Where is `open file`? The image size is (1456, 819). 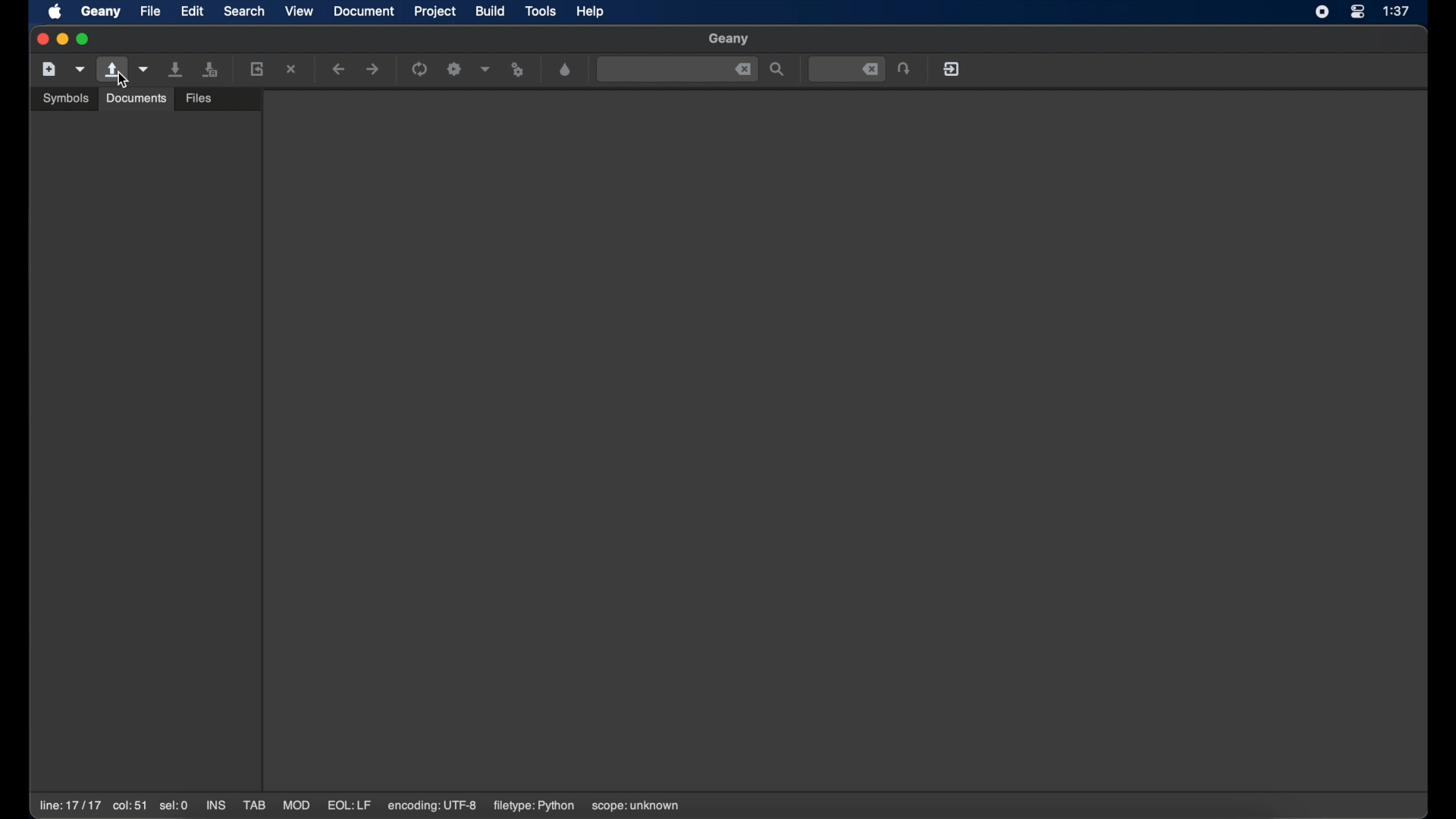
open file is located at coordinates (111, 70).